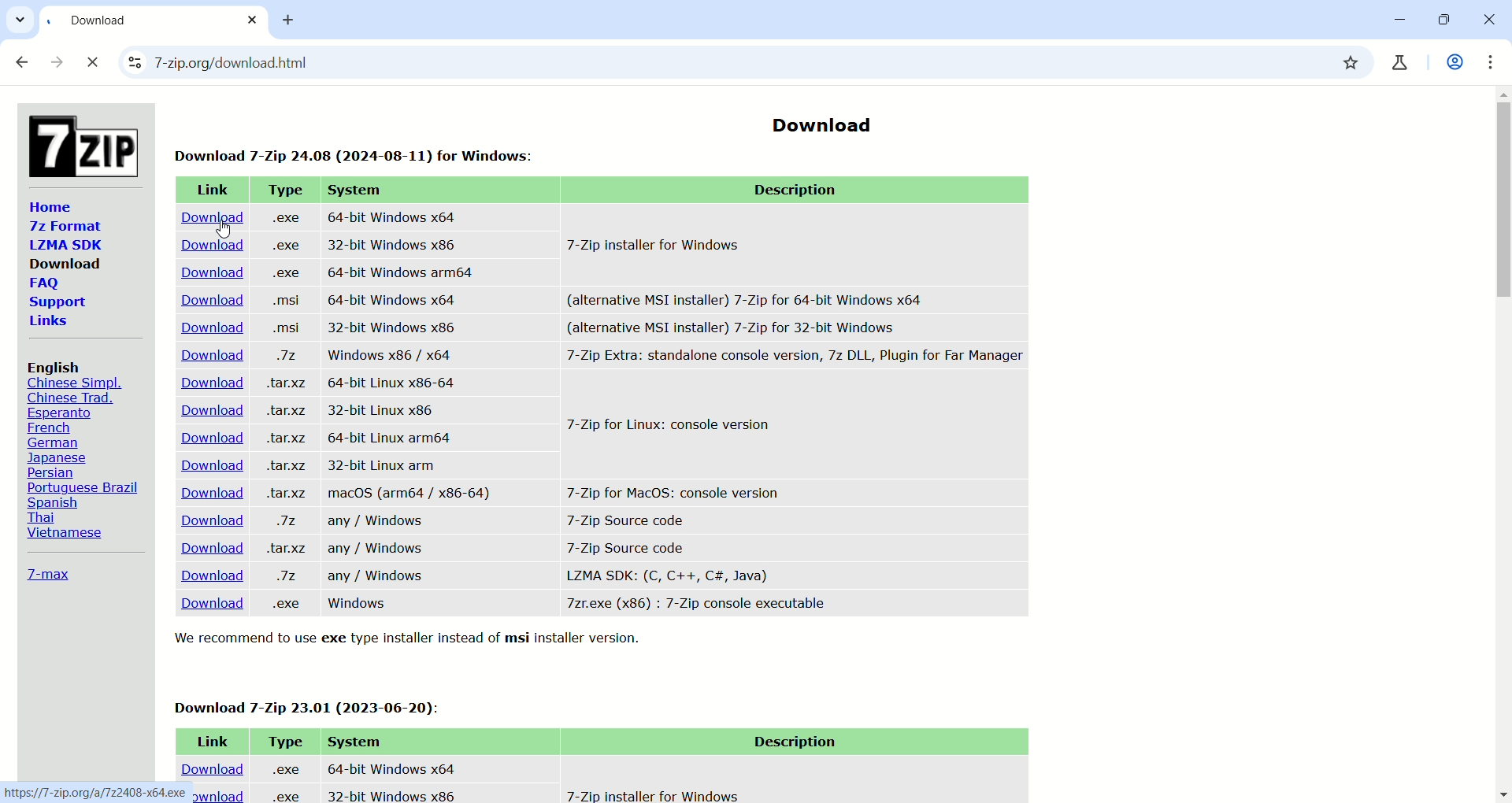 The width and height of the screenshot is (1512, 803). Describe the element at coordinates (1393, 20) in the screenshot. I see `minimize` at that location.